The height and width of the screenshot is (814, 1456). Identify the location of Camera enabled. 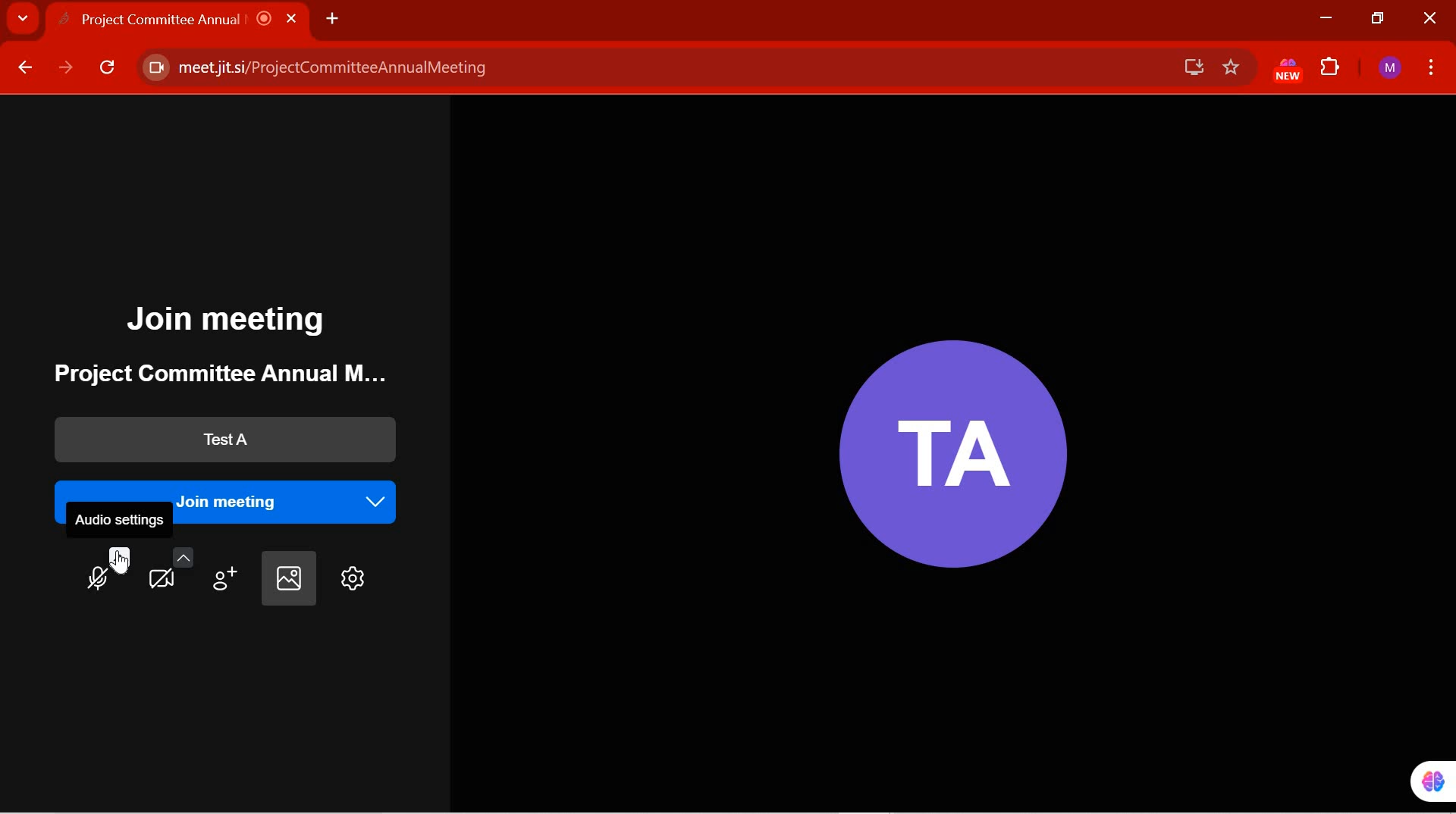
(154, 68).